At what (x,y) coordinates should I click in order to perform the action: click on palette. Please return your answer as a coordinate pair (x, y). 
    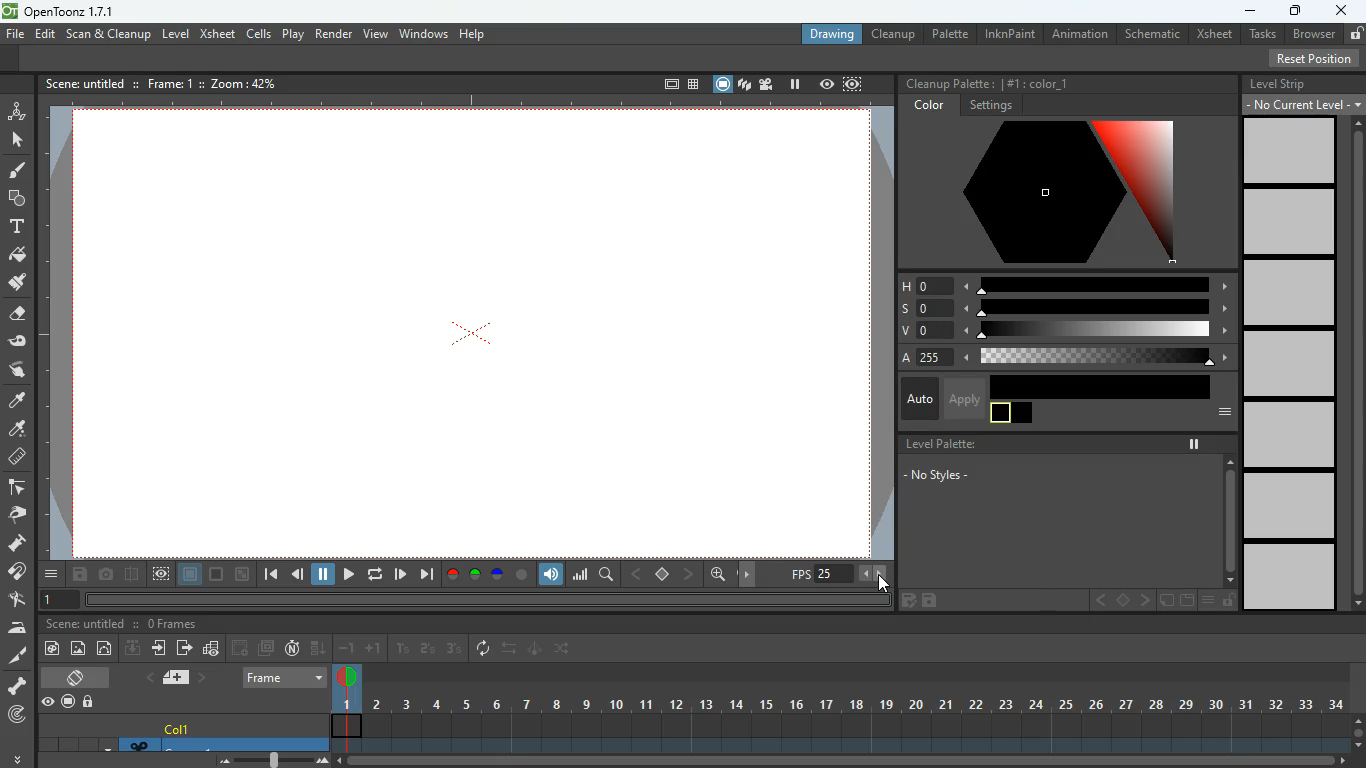
    Looking at the image, I should click on (948, 34).